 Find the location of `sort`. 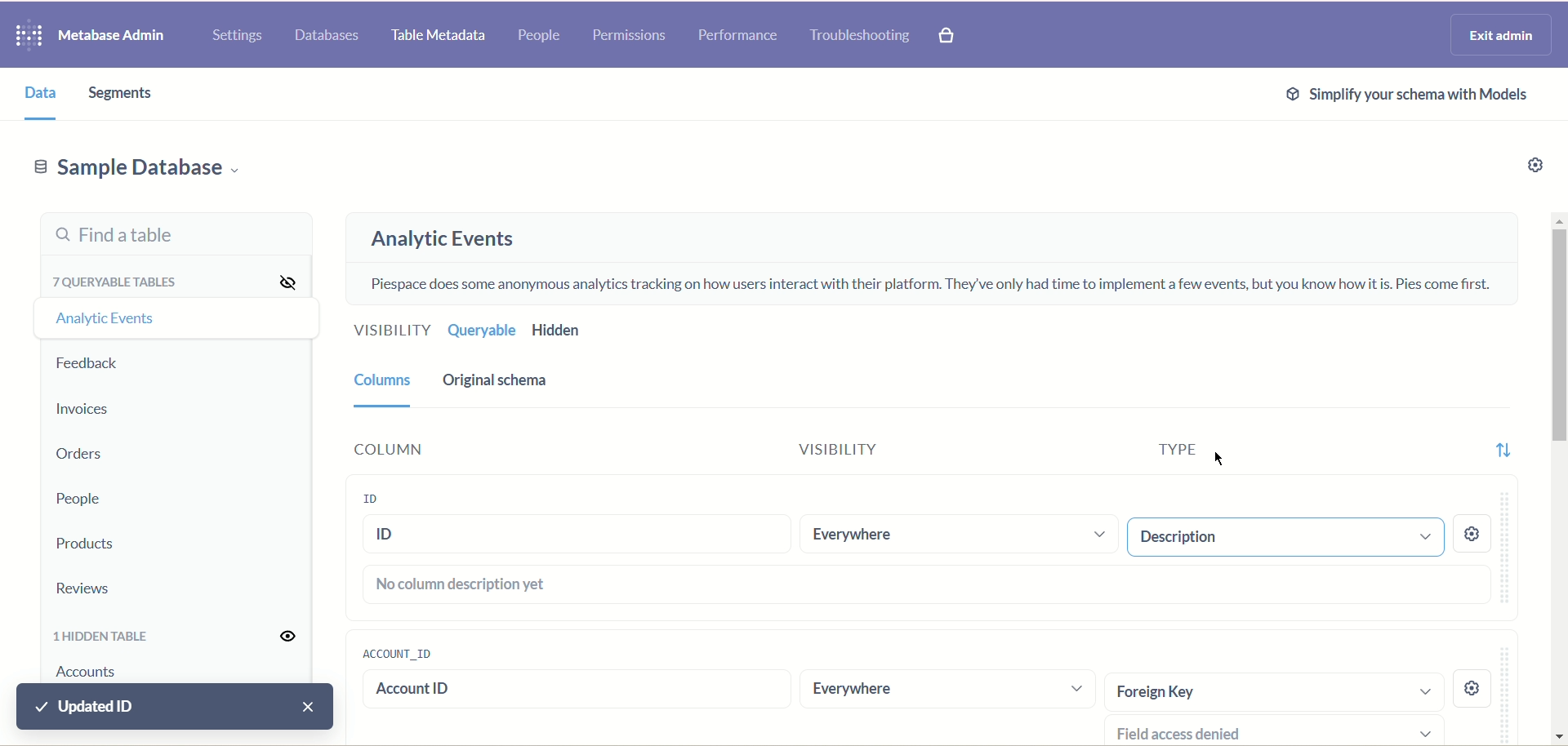

sort is located at coordinates (1505, 449).